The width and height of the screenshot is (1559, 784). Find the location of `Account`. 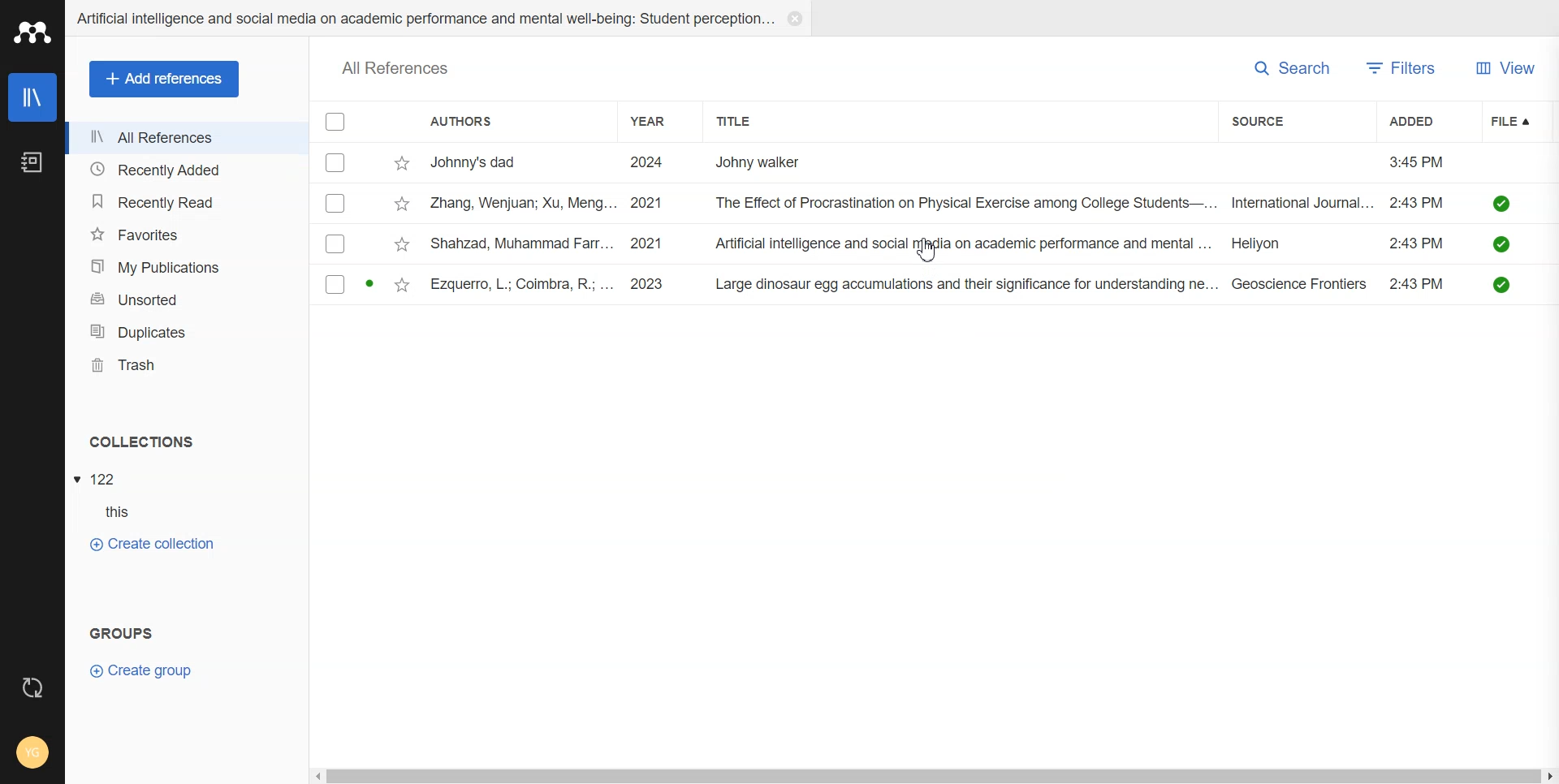

Account is located at coordinates (32, 754).